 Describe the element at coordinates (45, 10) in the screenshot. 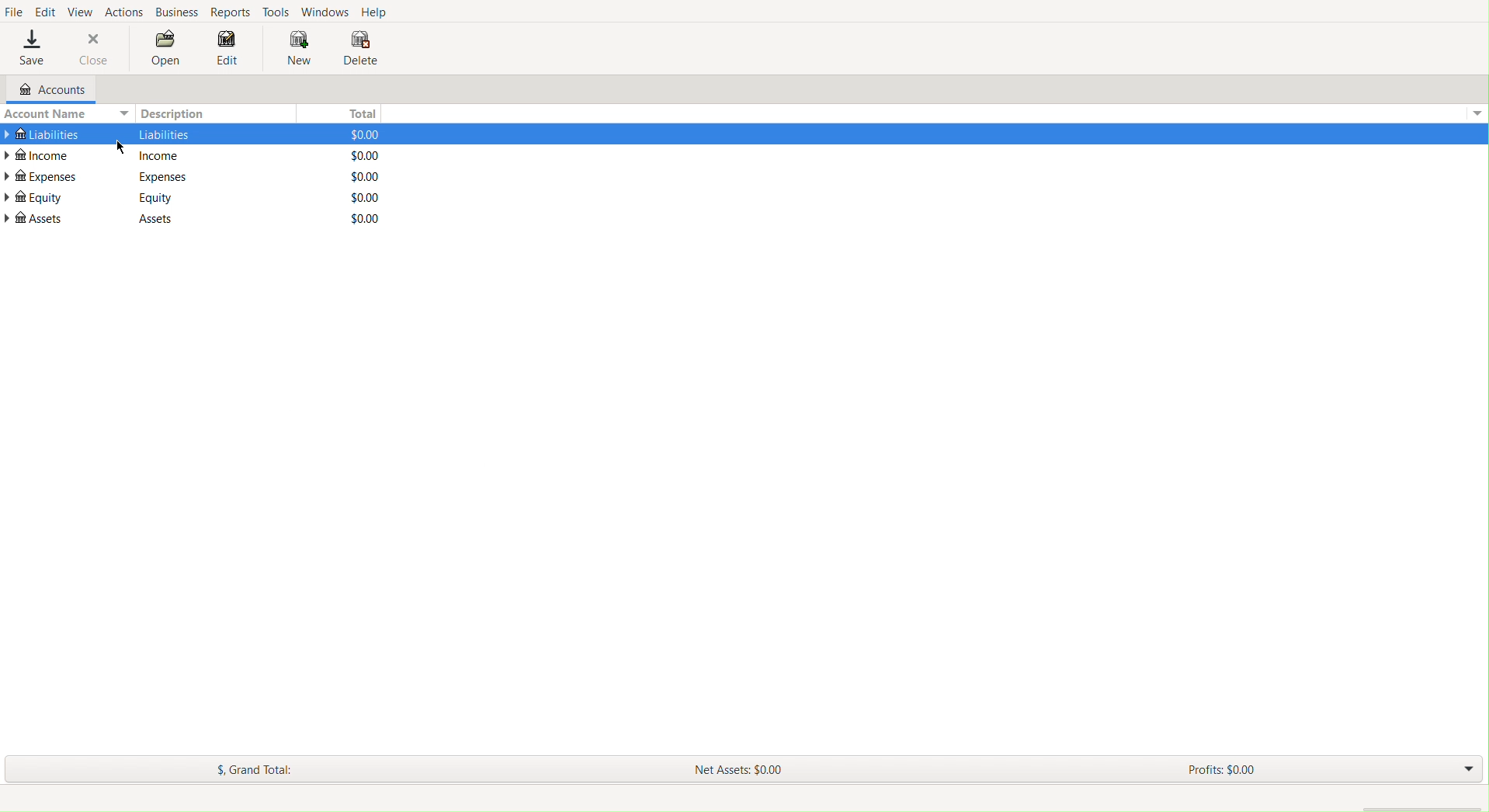

I see `Edit` at that location.